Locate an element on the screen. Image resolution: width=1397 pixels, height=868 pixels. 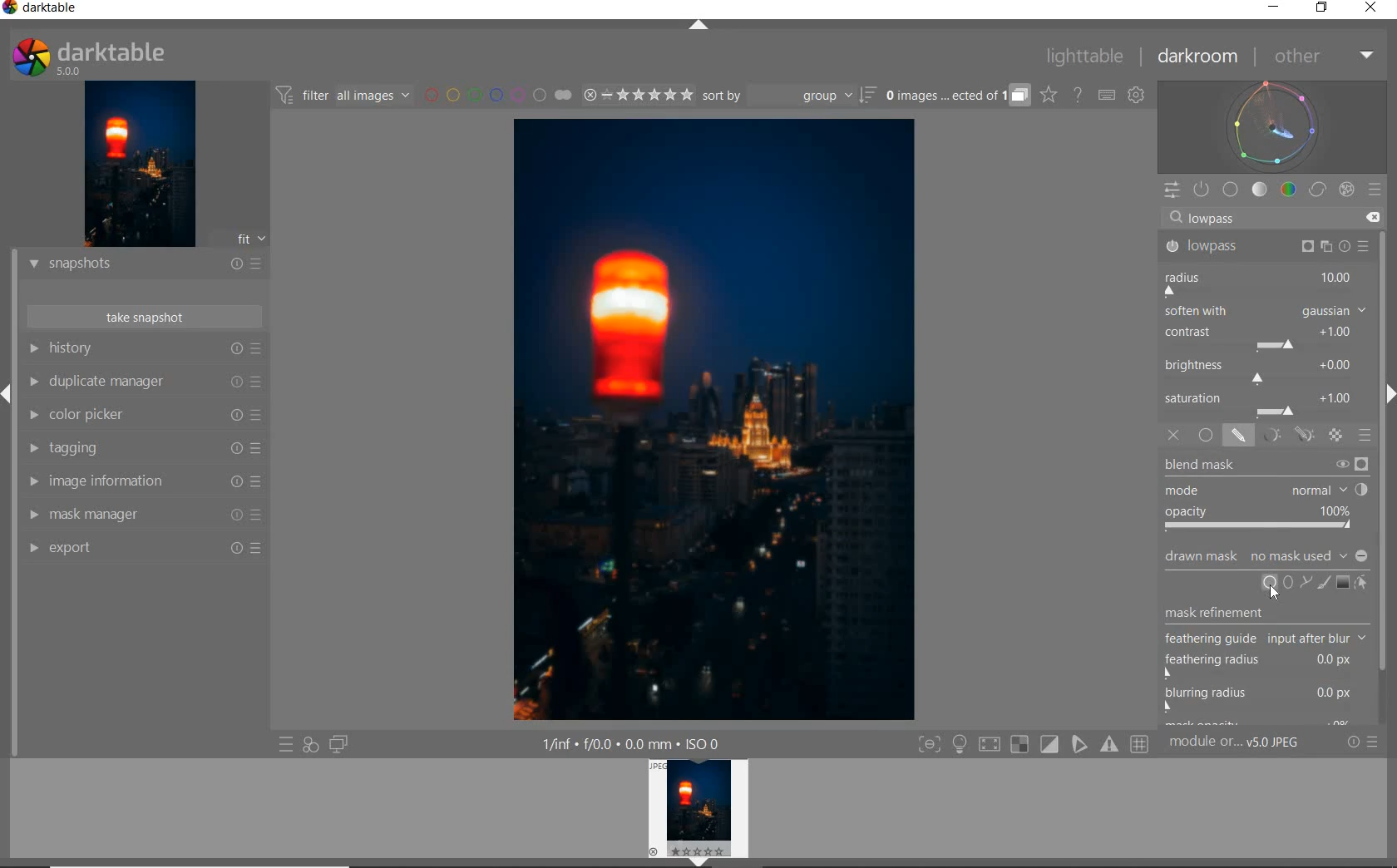
QUICK ACCESS FOR APPLYING ANY OF YOUR STYLES is located at coordinates (309, 745).